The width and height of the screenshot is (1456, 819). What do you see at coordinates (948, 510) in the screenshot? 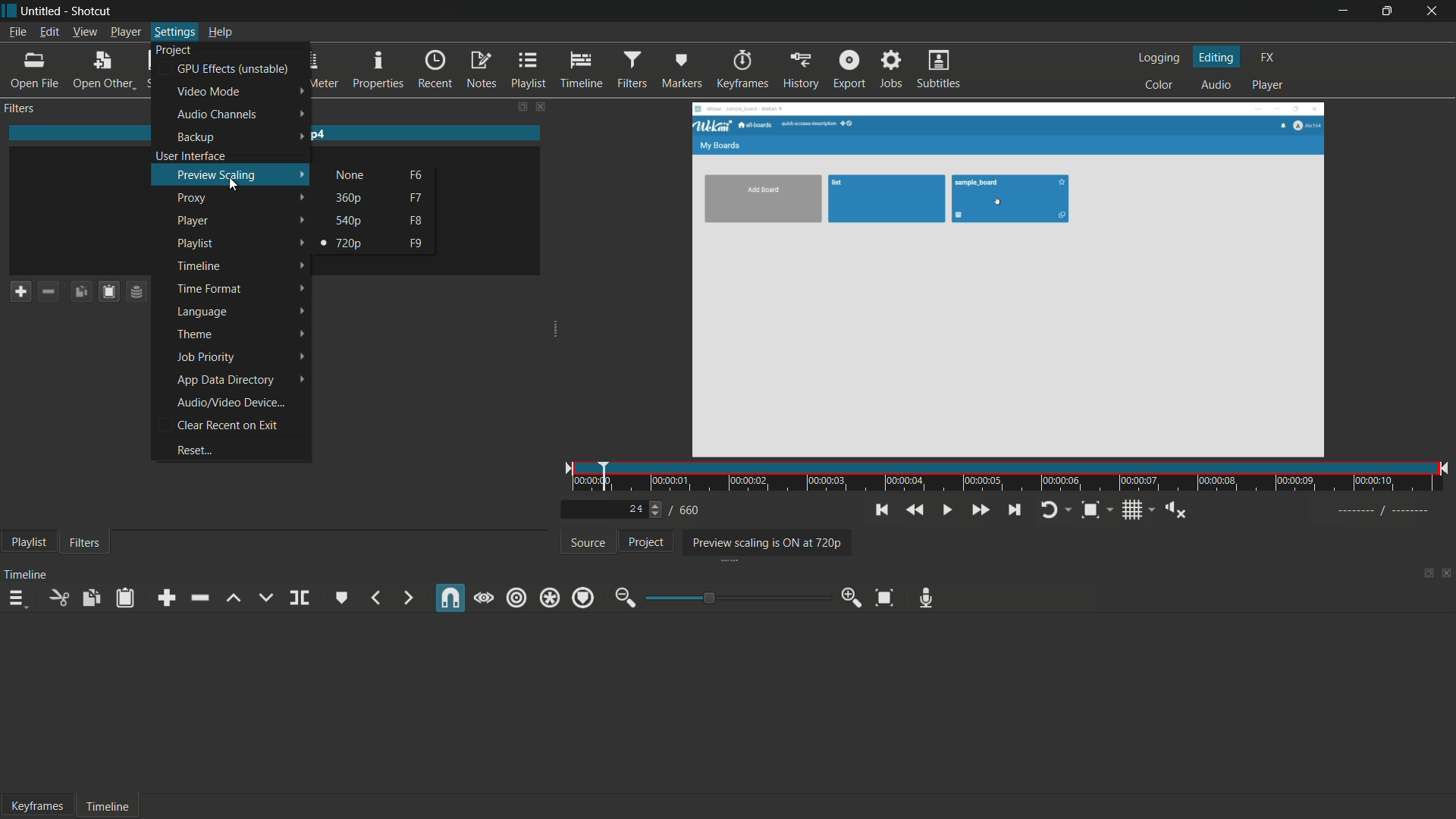
I see `toggle play or pause` at bounding box center [948, 510].